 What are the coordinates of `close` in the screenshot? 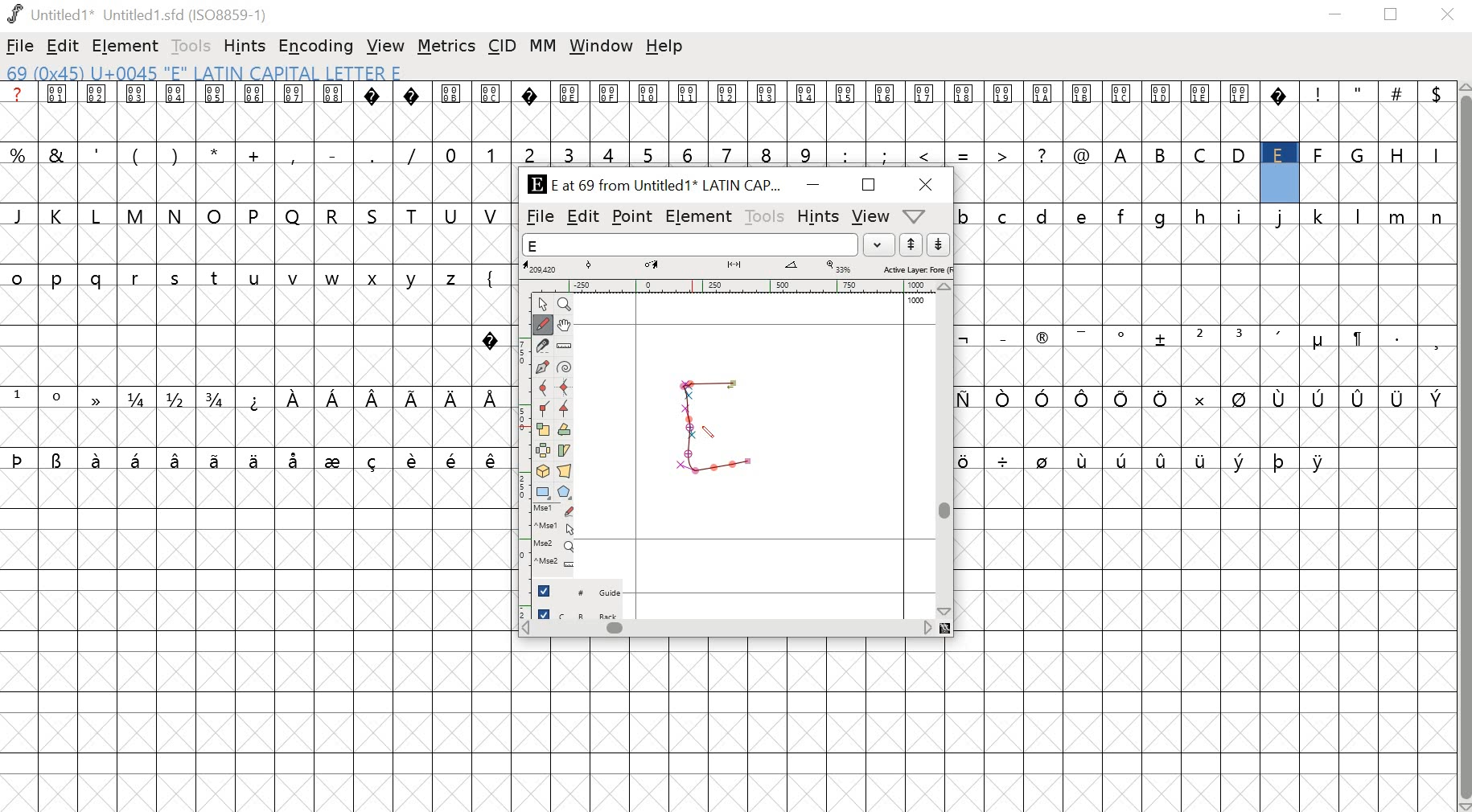 It's located at (928, 185).